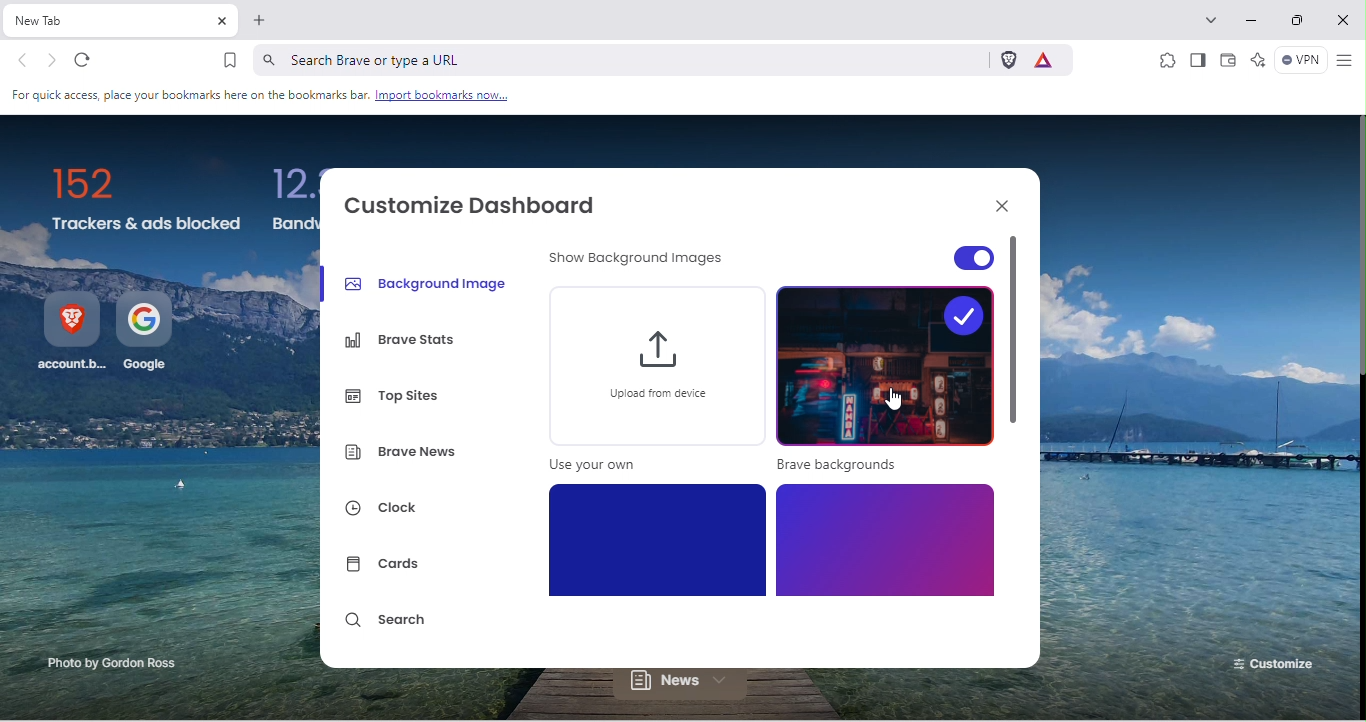  Describe the element at coordinates (1298, 62) in the screenshot. I see `Brave firewall+VPN` at that location.